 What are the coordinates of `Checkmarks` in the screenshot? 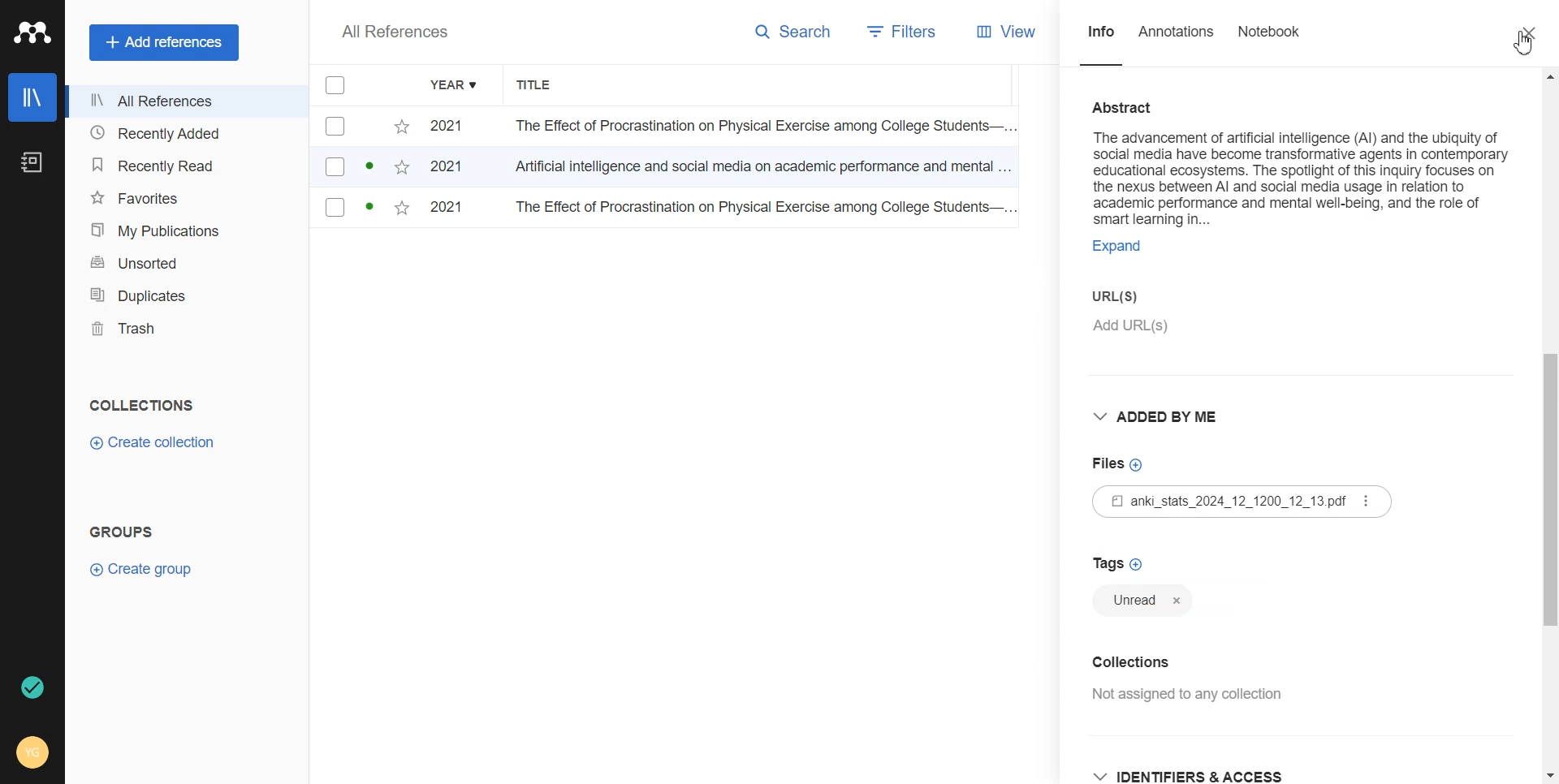 It's located at (336, 86).